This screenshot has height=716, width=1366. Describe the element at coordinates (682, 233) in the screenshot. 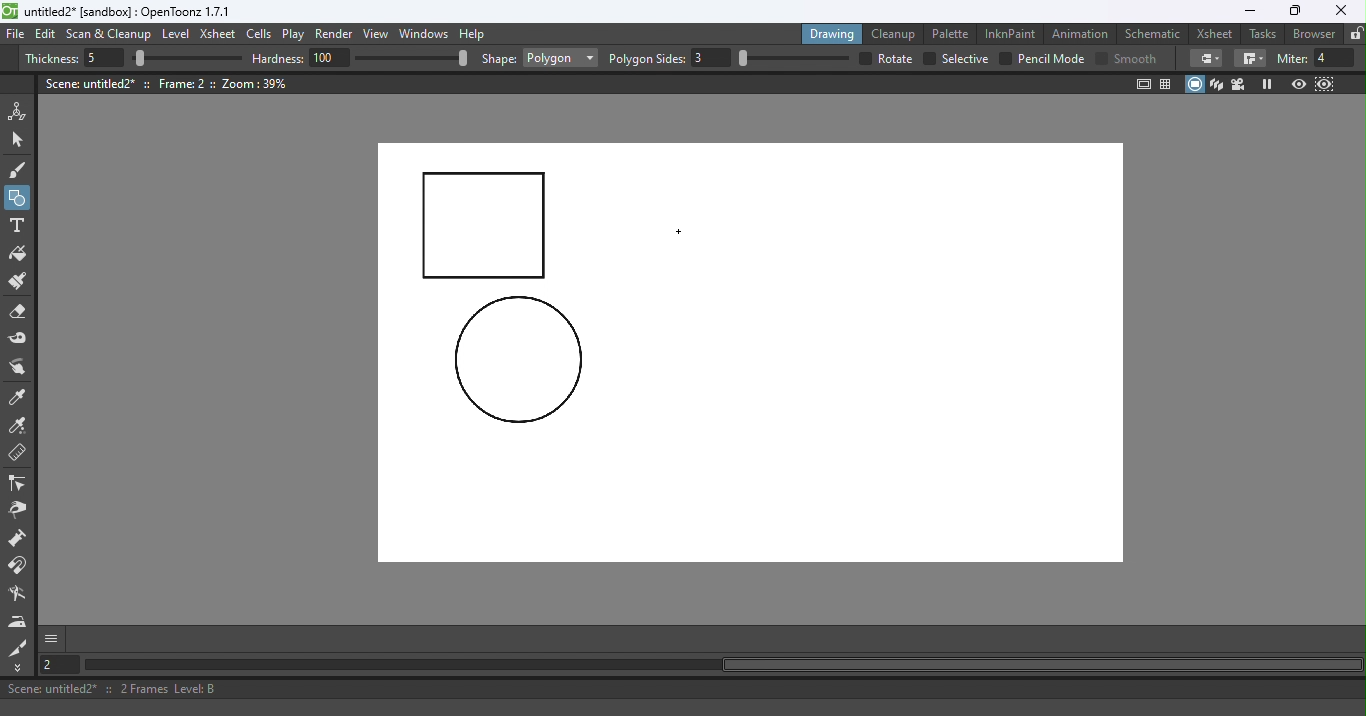

I see `Cursor` at that location.